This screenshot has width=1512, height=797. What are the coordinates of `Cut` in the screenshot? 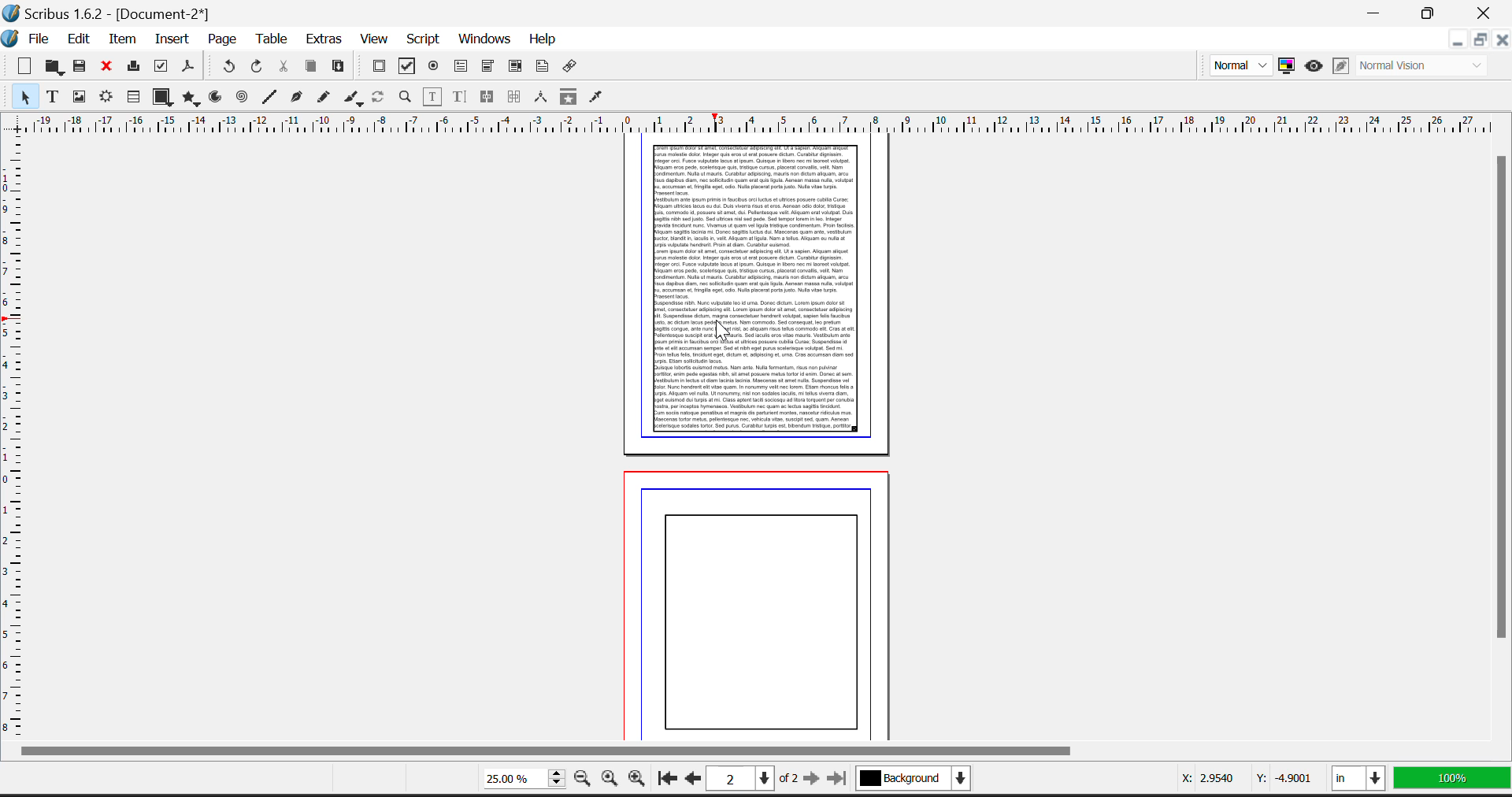 It's located at (283, 69).